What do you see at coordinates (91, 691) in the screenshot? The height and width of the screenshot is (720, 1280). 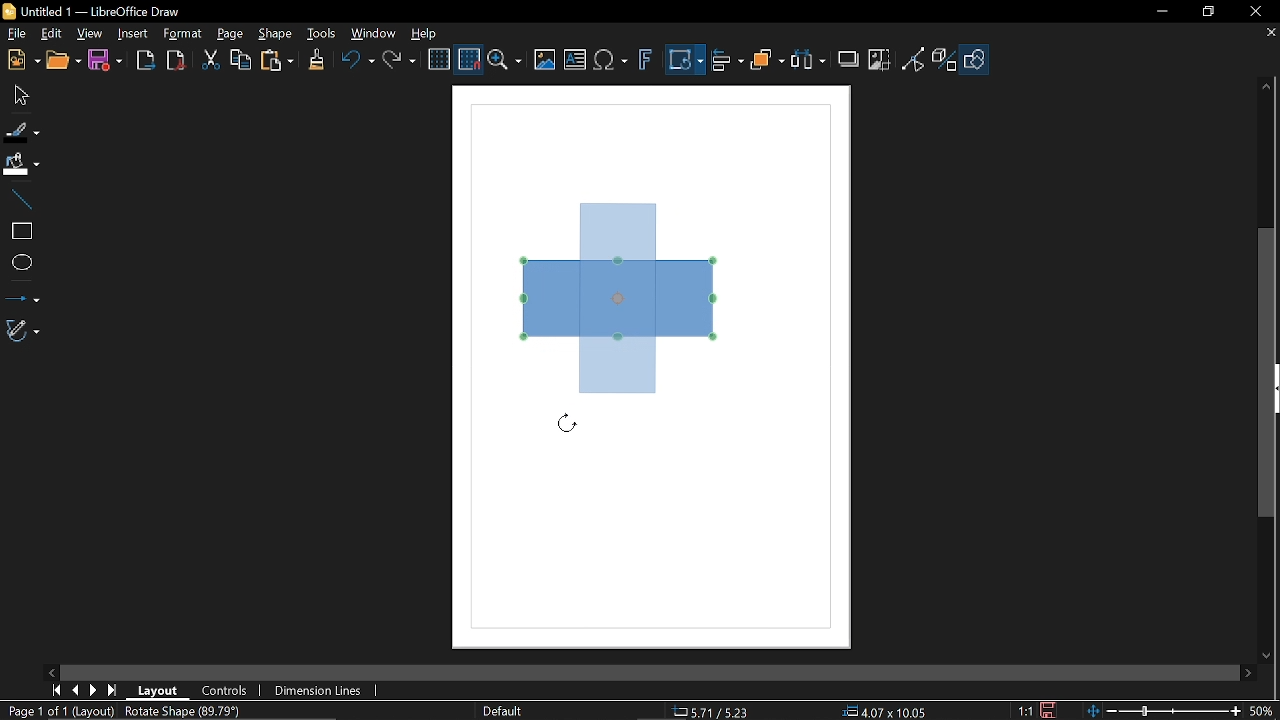 I see `MOve right` at bounding box center [91, 691].